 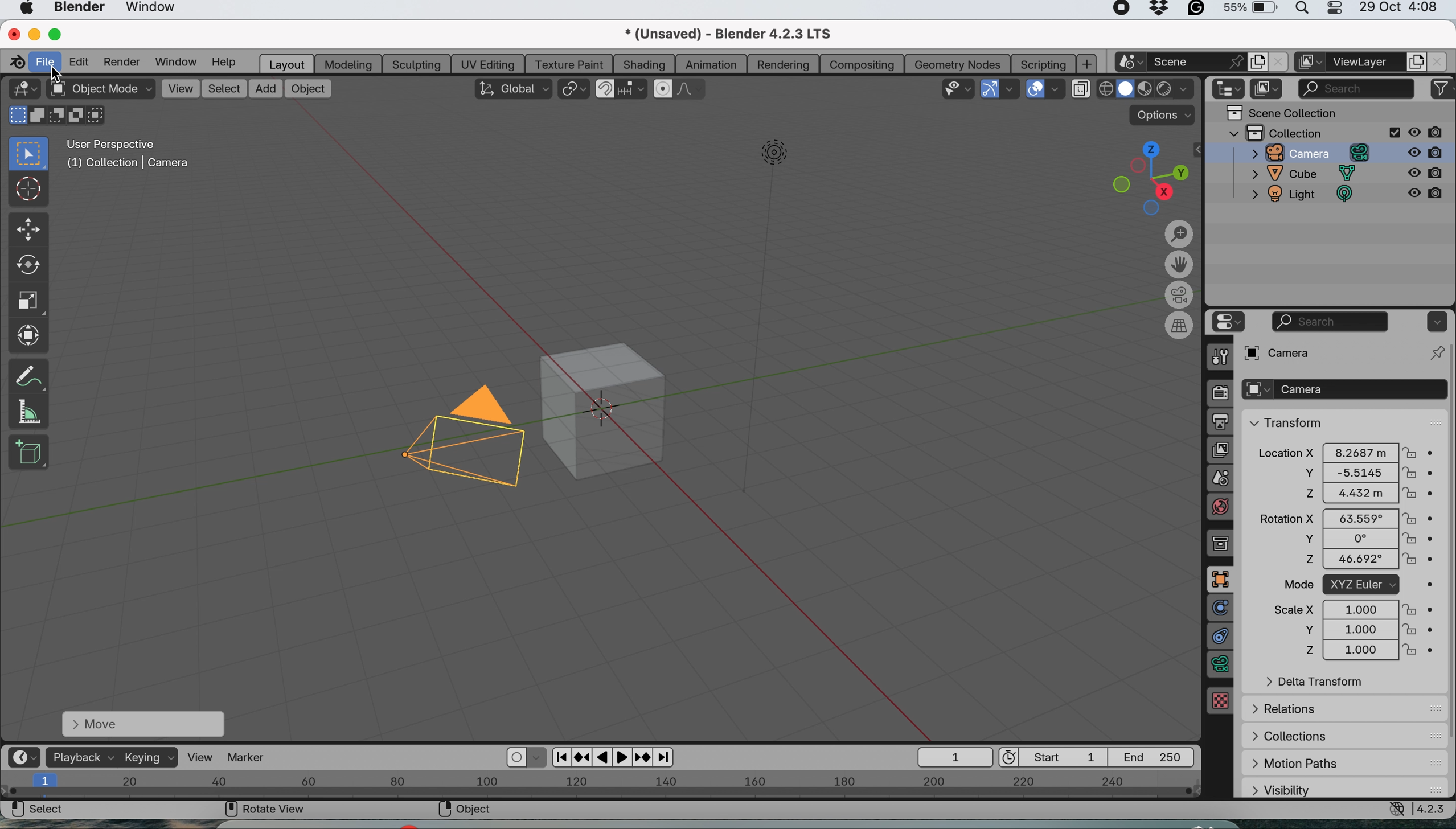 I want to click on object, so click(x=606, y=412).